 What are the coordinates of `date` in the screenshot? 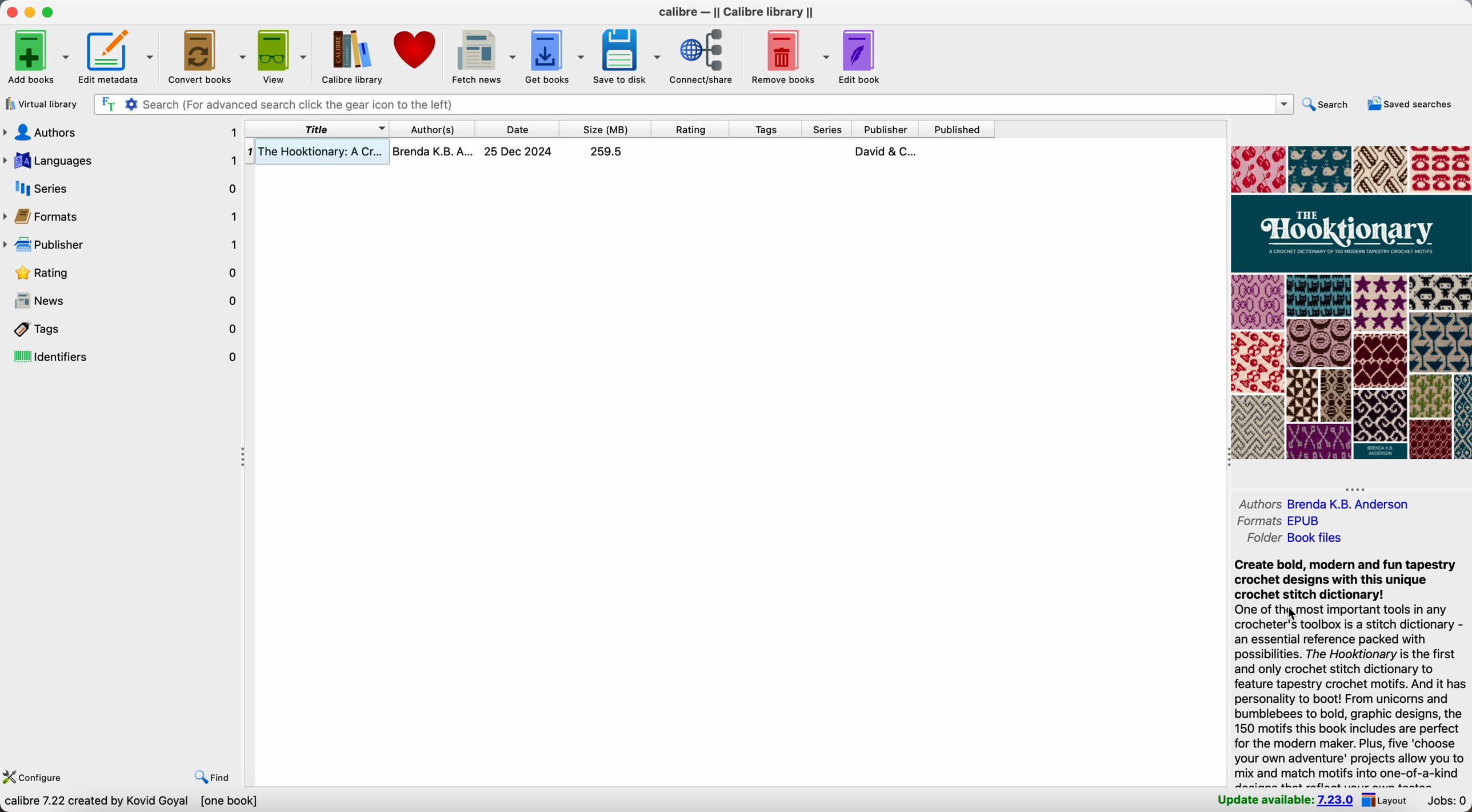 It's located at (514, 129).